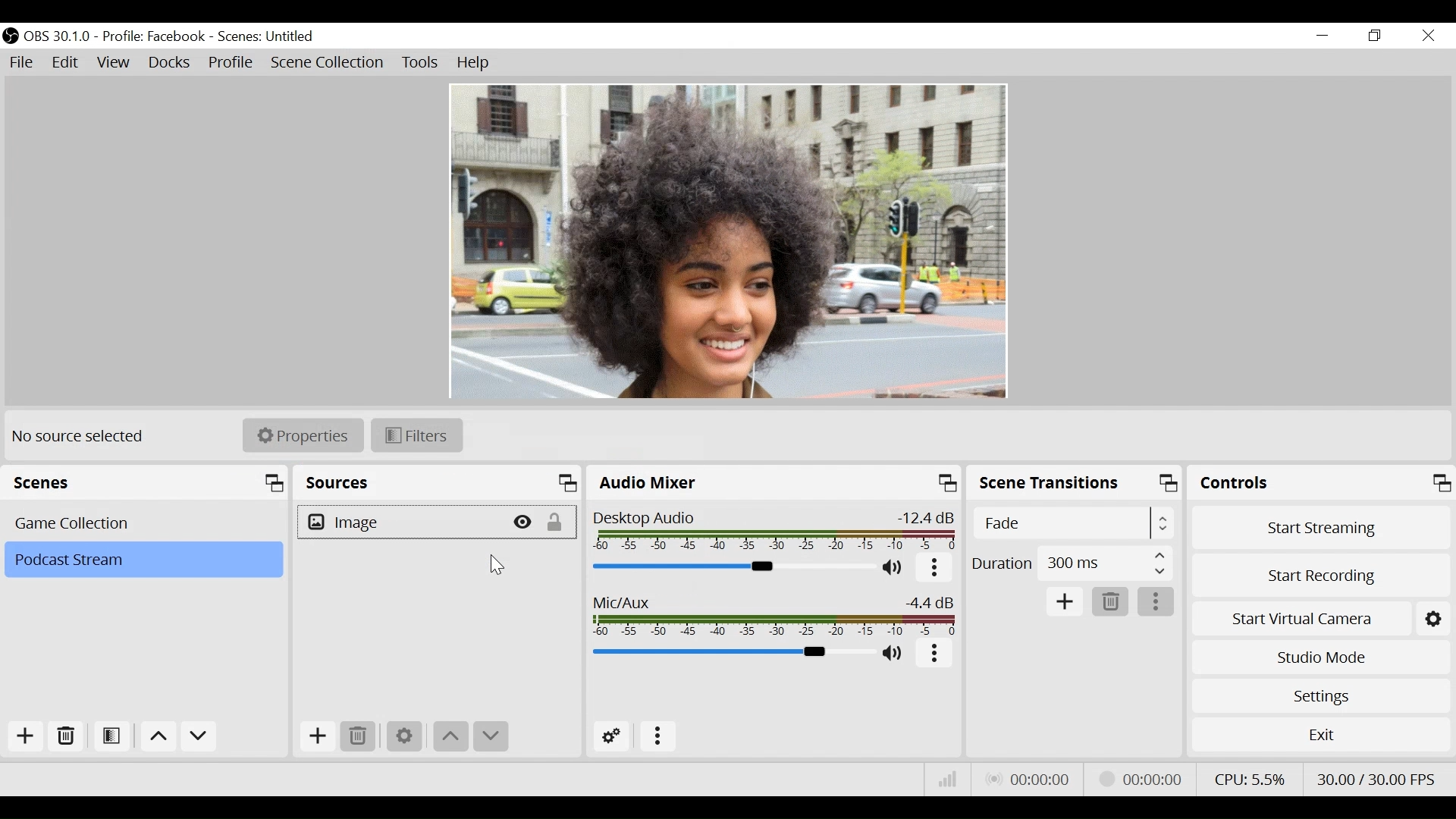 The height and width of the screenshot is (819, 1456). I want to click on Audio Mixer, so click(733, 566).